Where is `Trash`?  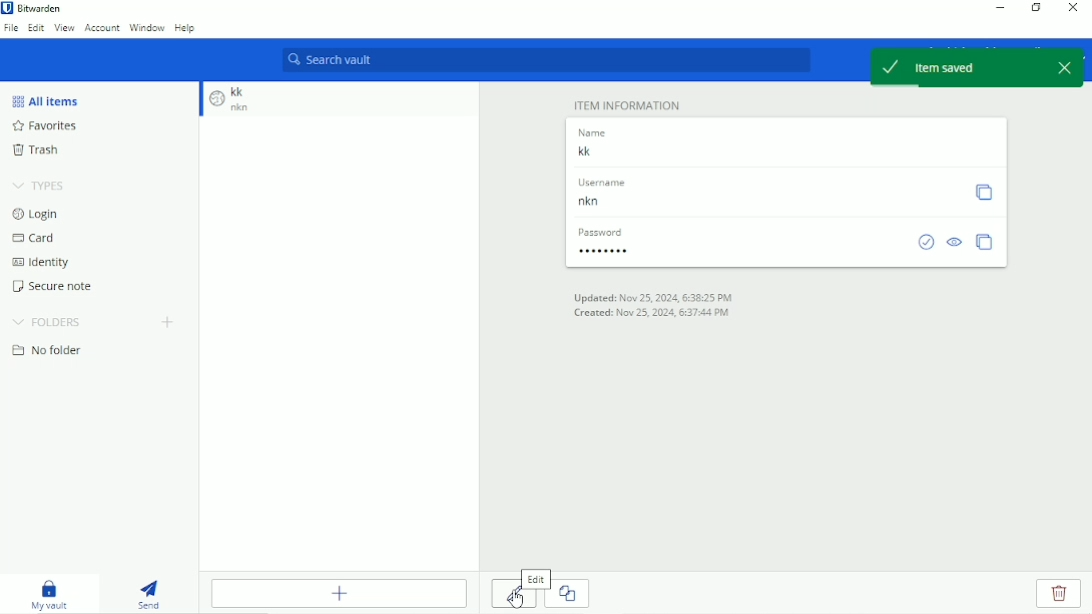
Trash is located at coordinates (39, 150).